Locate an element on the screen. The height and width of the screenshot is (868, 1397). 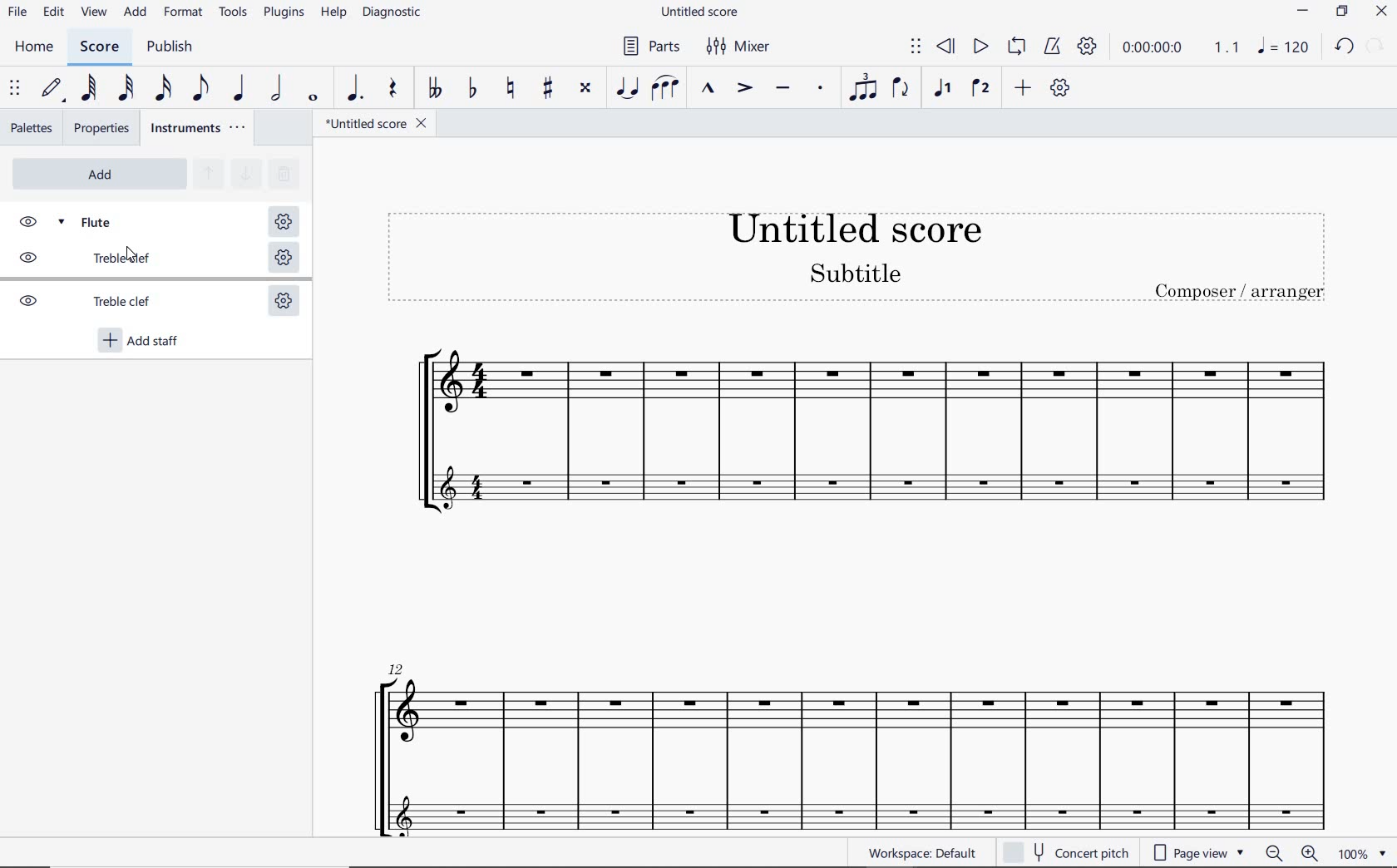
16TH NOTE is located at coordinates (164, 89).